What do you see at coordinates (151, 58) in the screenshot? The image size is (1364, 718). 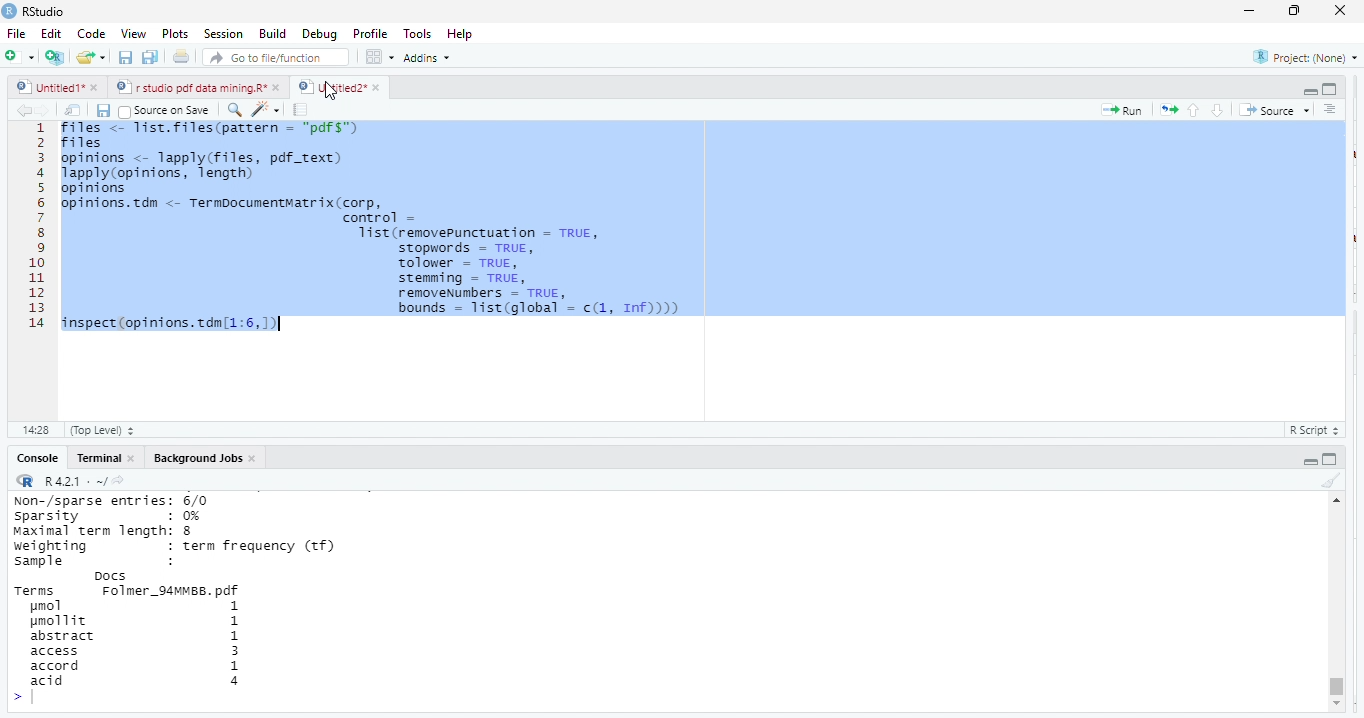 I see `save all open documents` at bounding box center [151, 58].